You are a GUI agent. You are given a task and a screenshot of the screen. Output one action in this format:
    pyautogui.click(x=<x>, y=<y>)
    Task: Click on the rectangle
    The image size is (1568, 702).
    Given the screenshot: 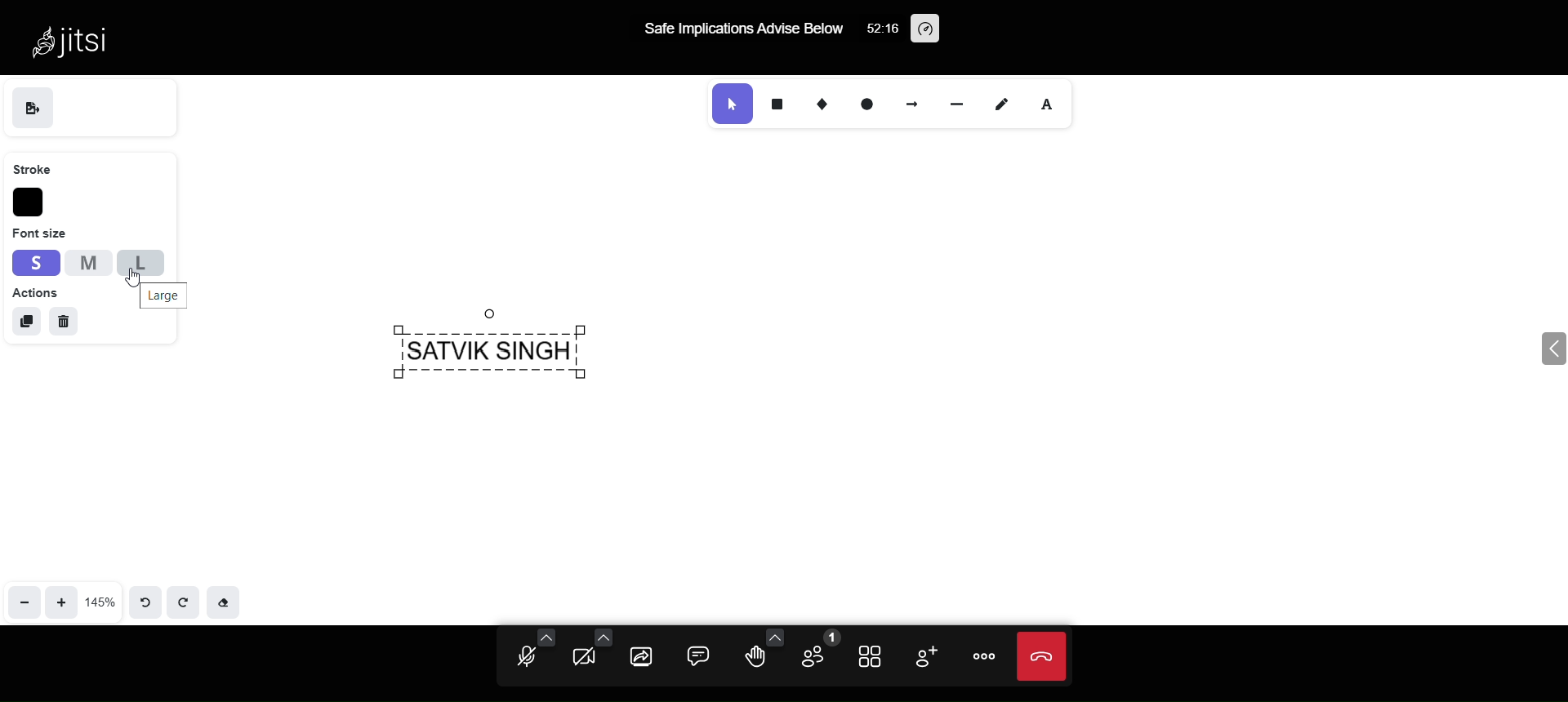 What is the action you would take?
    pyautogui.click(x=777, y=104)
    